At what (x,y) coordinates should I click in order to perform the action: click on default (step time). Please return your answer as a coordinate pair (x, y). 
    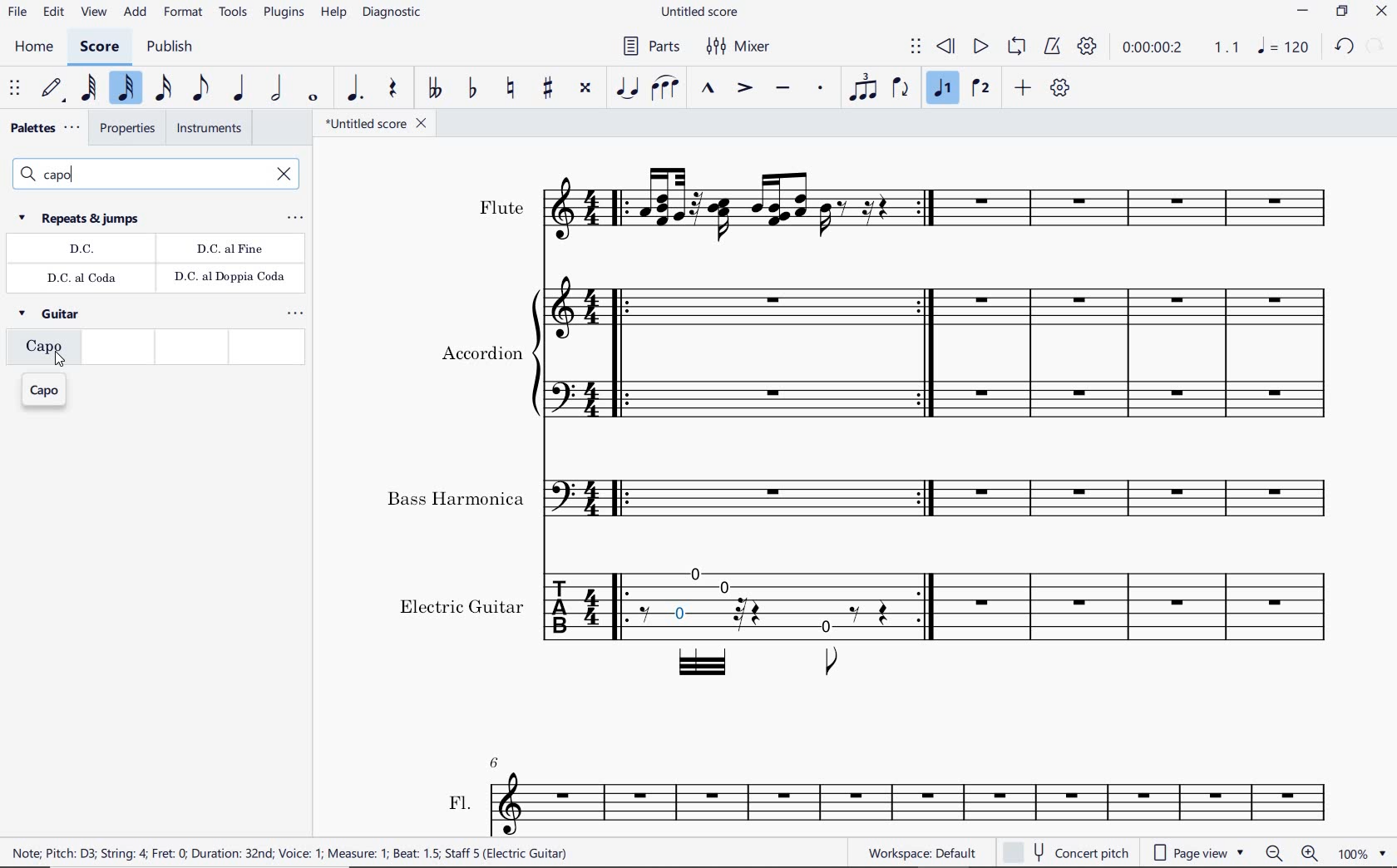
    Looking at the image, I should click on (52, 90).